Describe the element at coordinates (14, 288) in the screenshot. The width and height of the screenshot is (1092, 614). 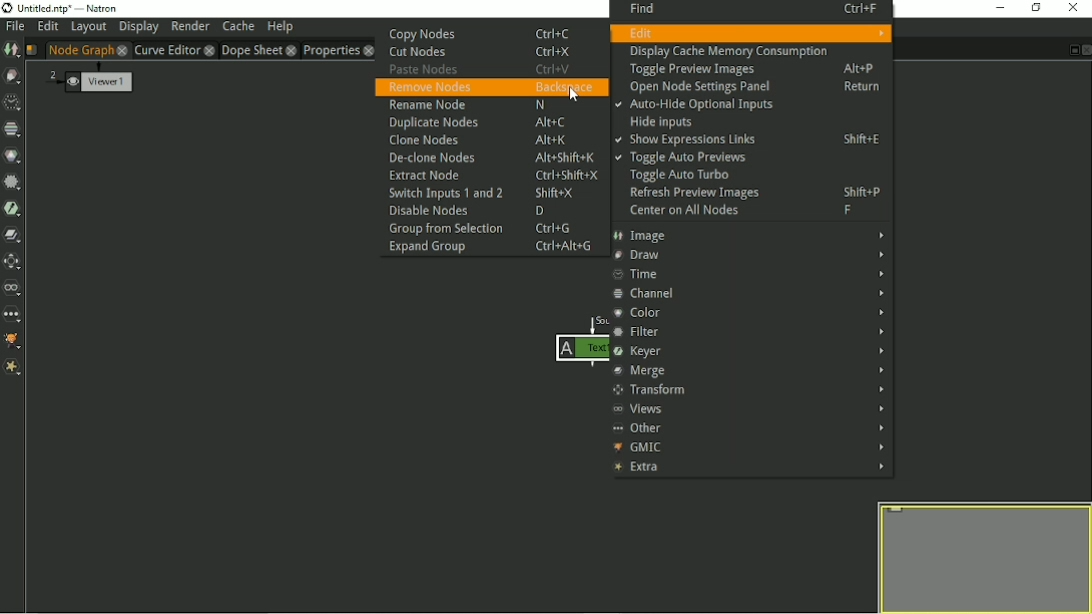
I see `Views` at that location.